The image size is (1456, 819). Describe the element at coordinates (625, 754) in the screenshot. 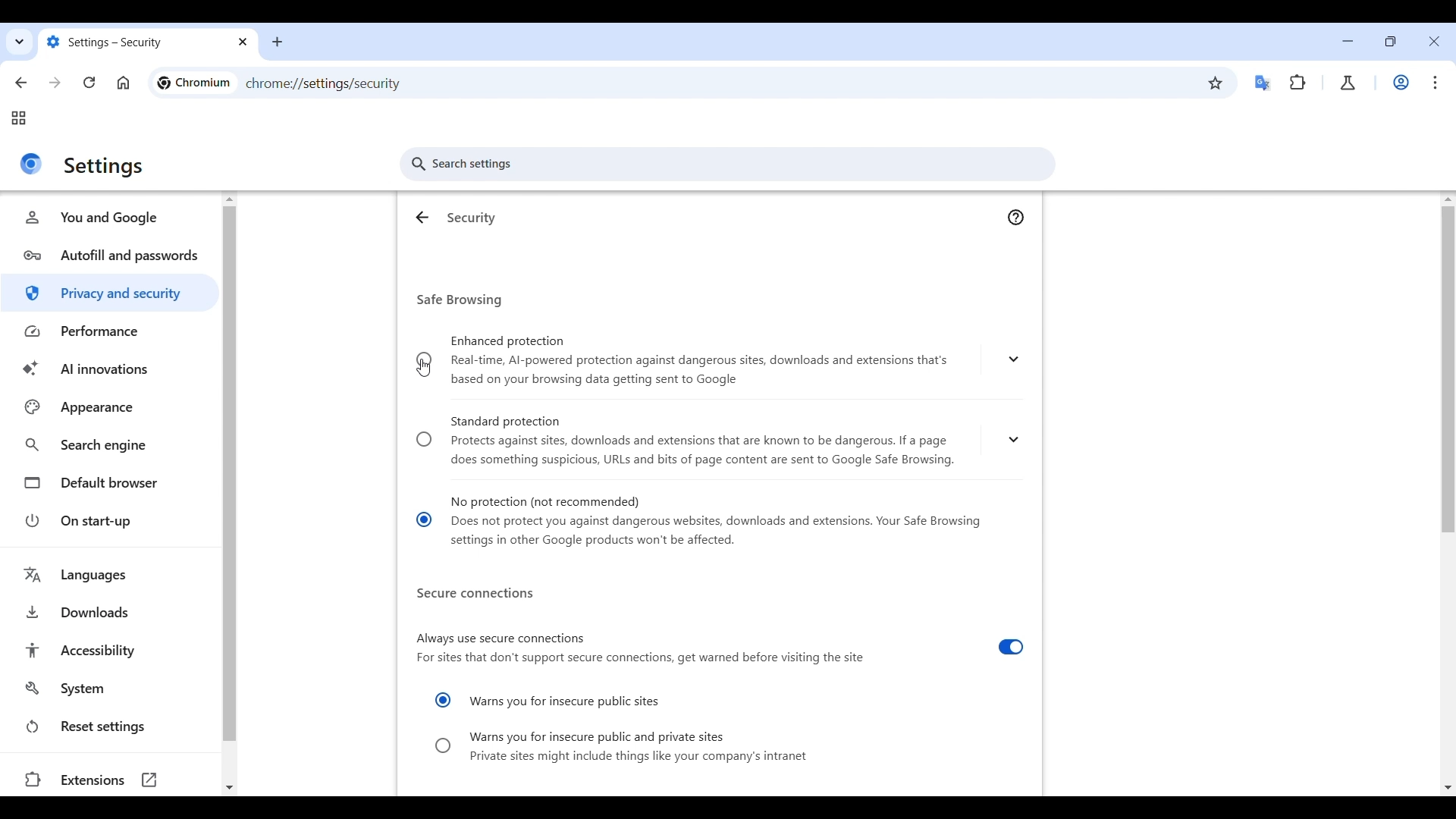

I see `© Warns you for insecure public and private sites Private sites might include things like your company's intranet` at that location.